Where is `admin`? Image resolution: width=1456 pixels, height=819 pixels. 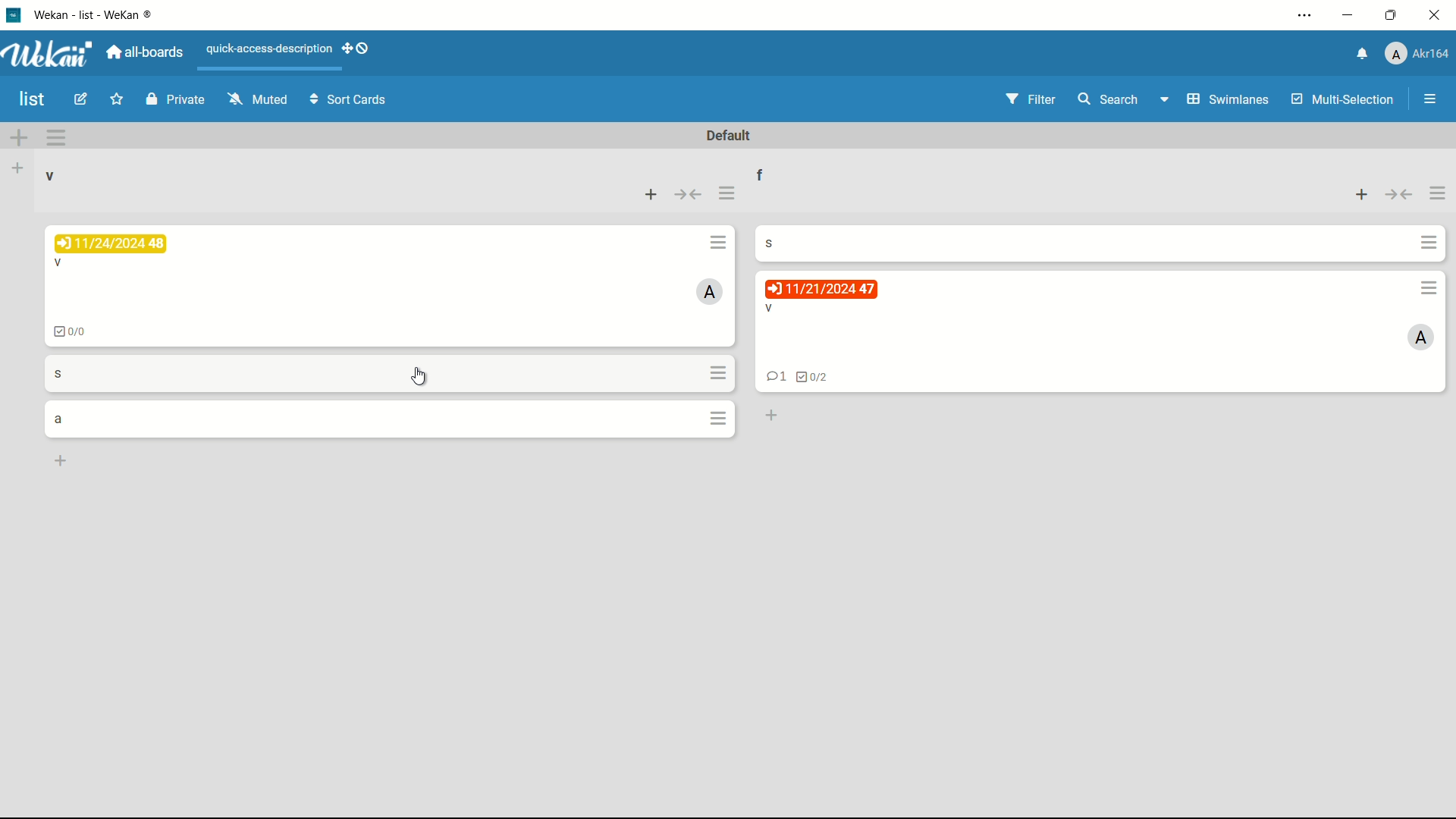
admin is located at coordinates (1420, 339).